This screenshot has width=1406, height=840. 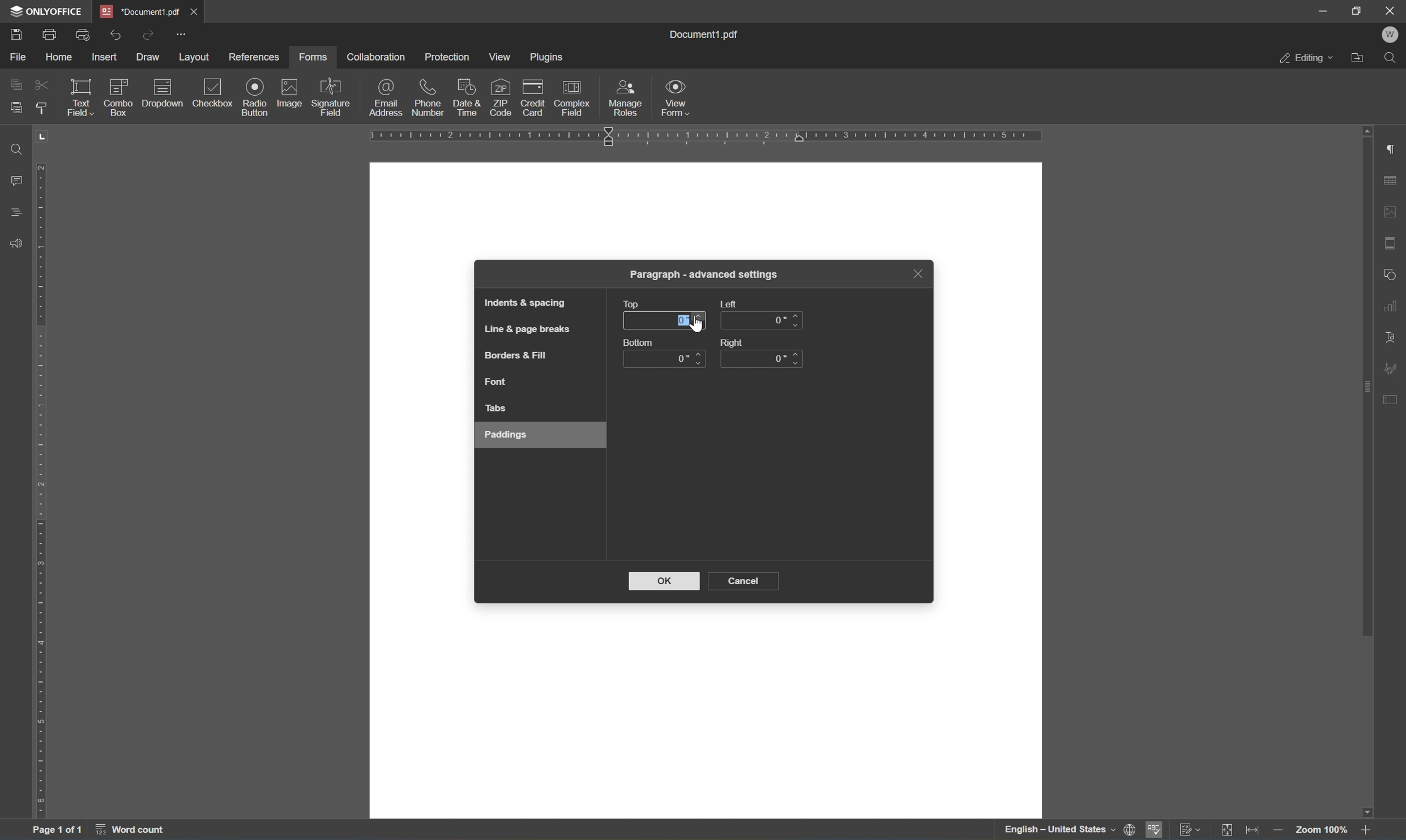 I want to click on ruler, so click(x=43, y=491).